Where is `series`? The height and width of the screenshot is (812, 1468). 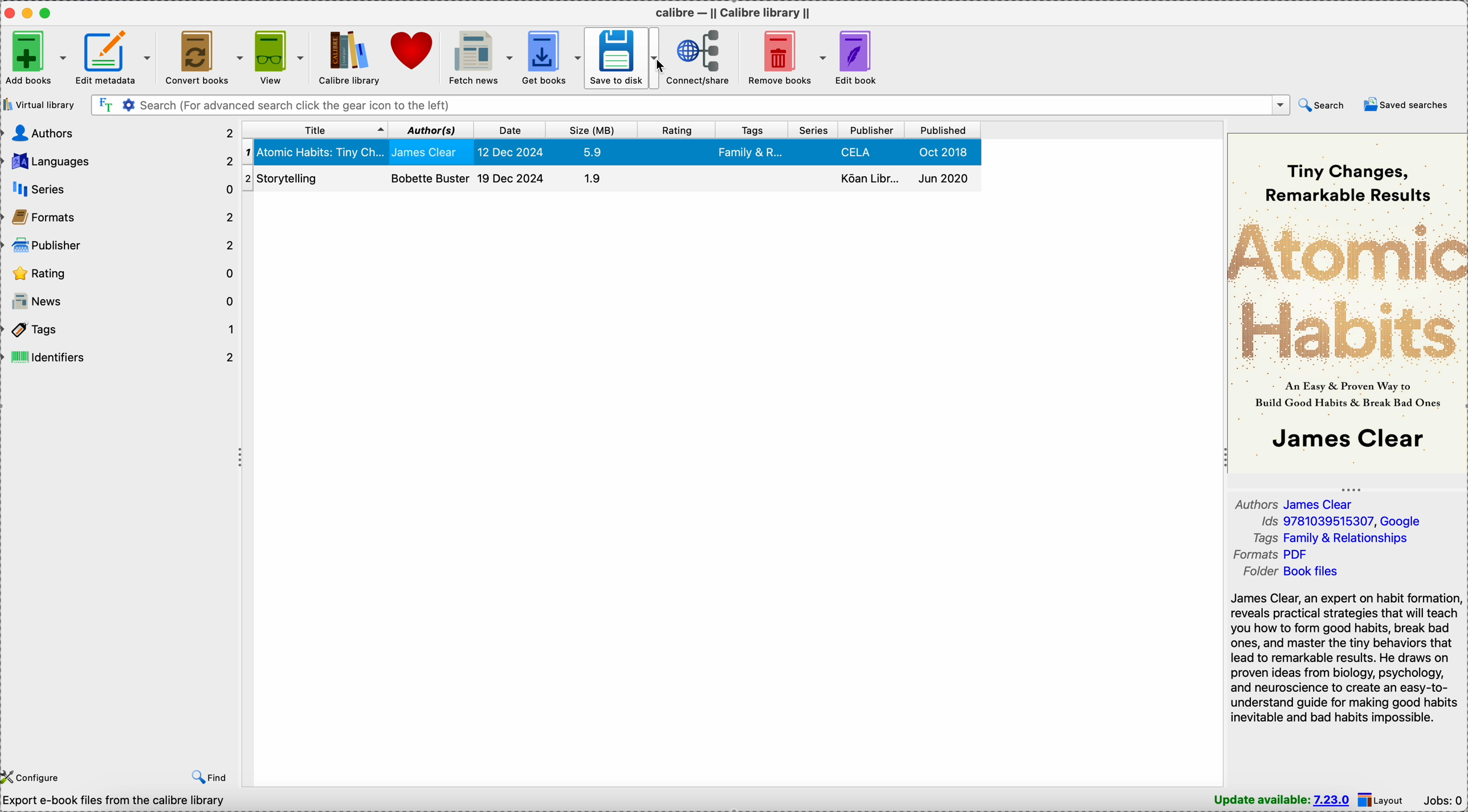
series is located at coordinates (814, 129).